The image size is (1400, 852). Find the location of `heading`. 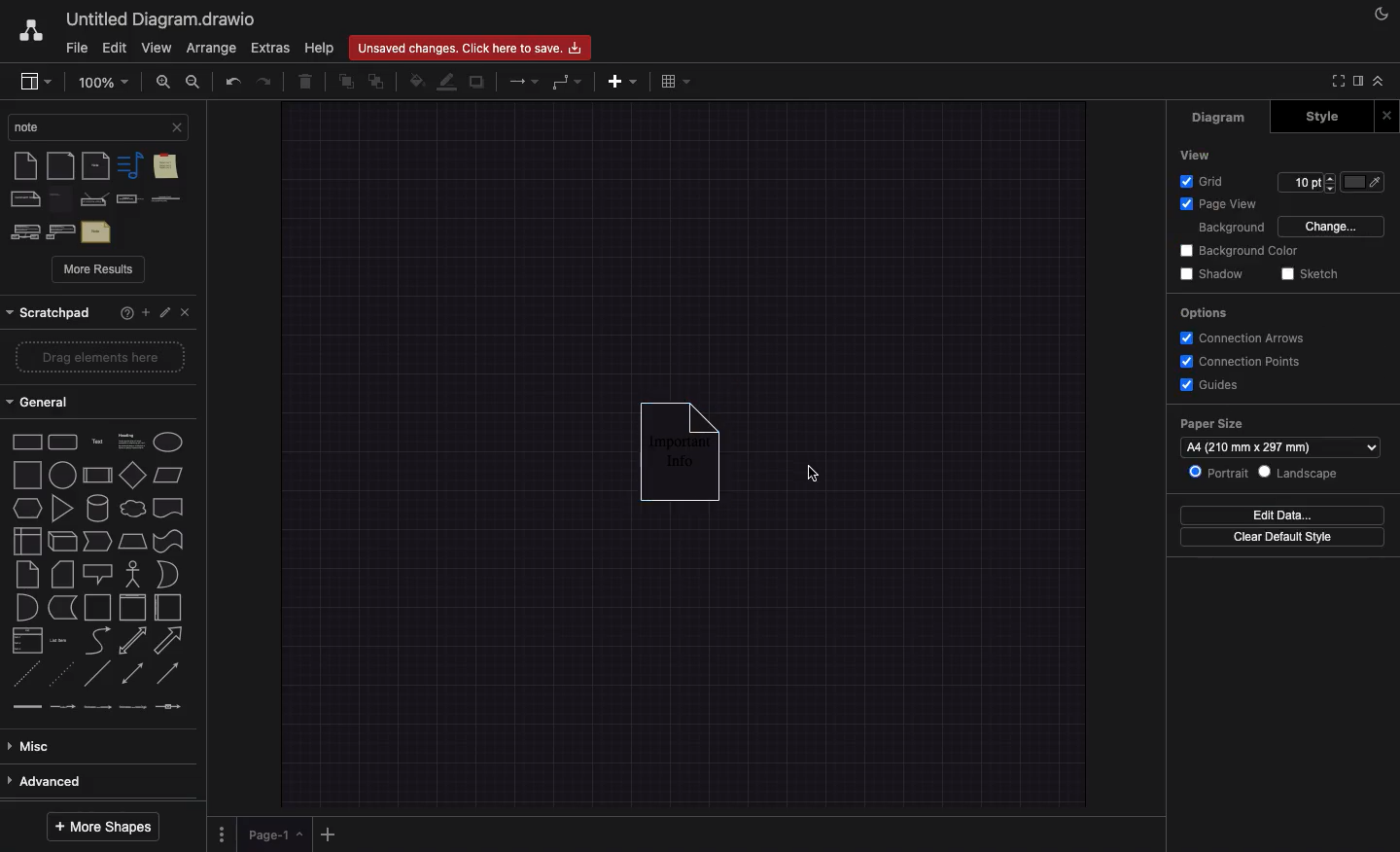

heading is located at coordinates (130, 440).